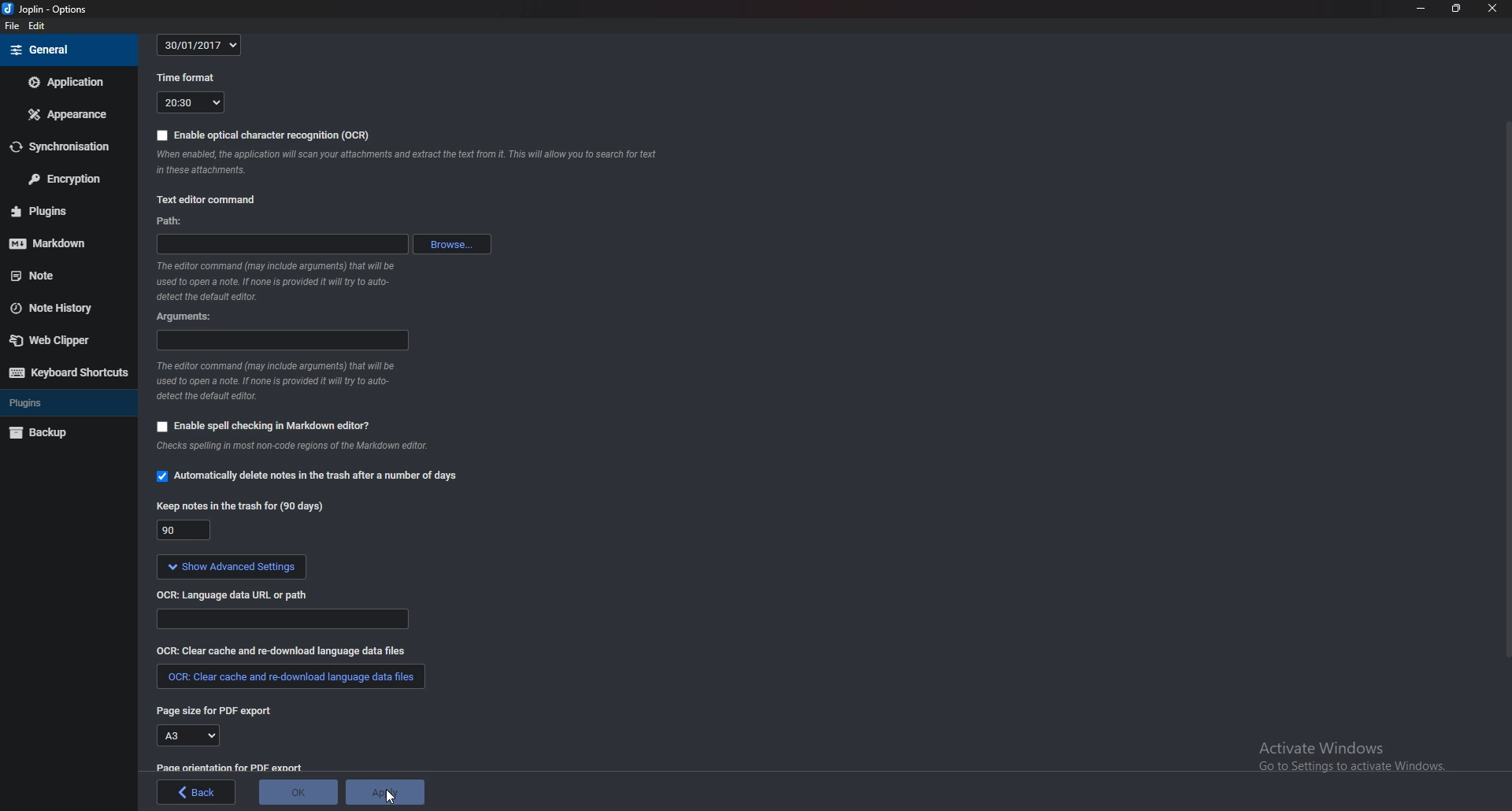 The width and height of the screenshot is (1512, 811). What do you see at coordinates (281, 341) in the screenshot?
I see `arguments` at bounding box center [281, 341].